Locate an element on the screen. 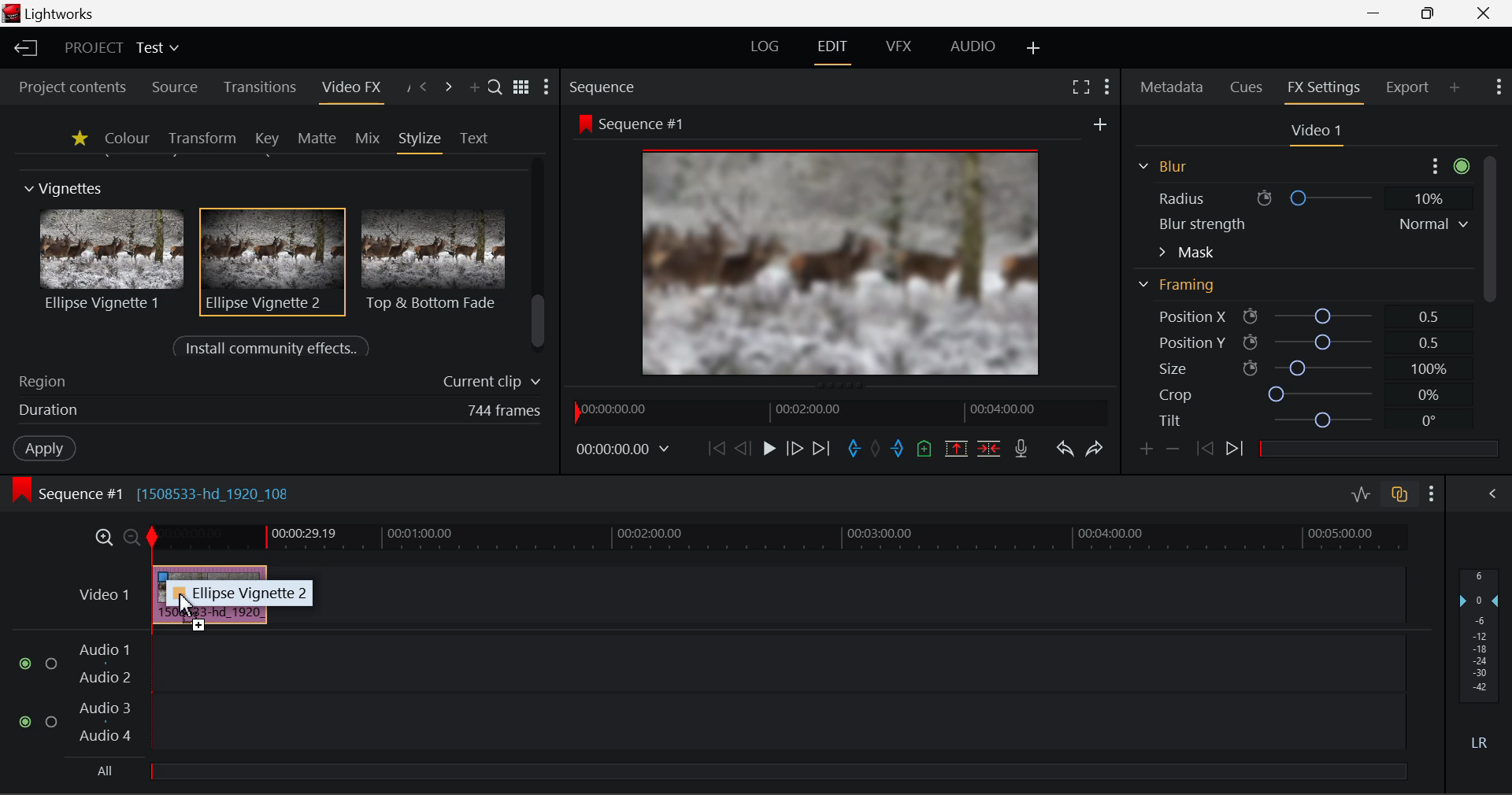 The width and height of the screenshot is (1512, 795). Source is located at coordinates (172, 86).